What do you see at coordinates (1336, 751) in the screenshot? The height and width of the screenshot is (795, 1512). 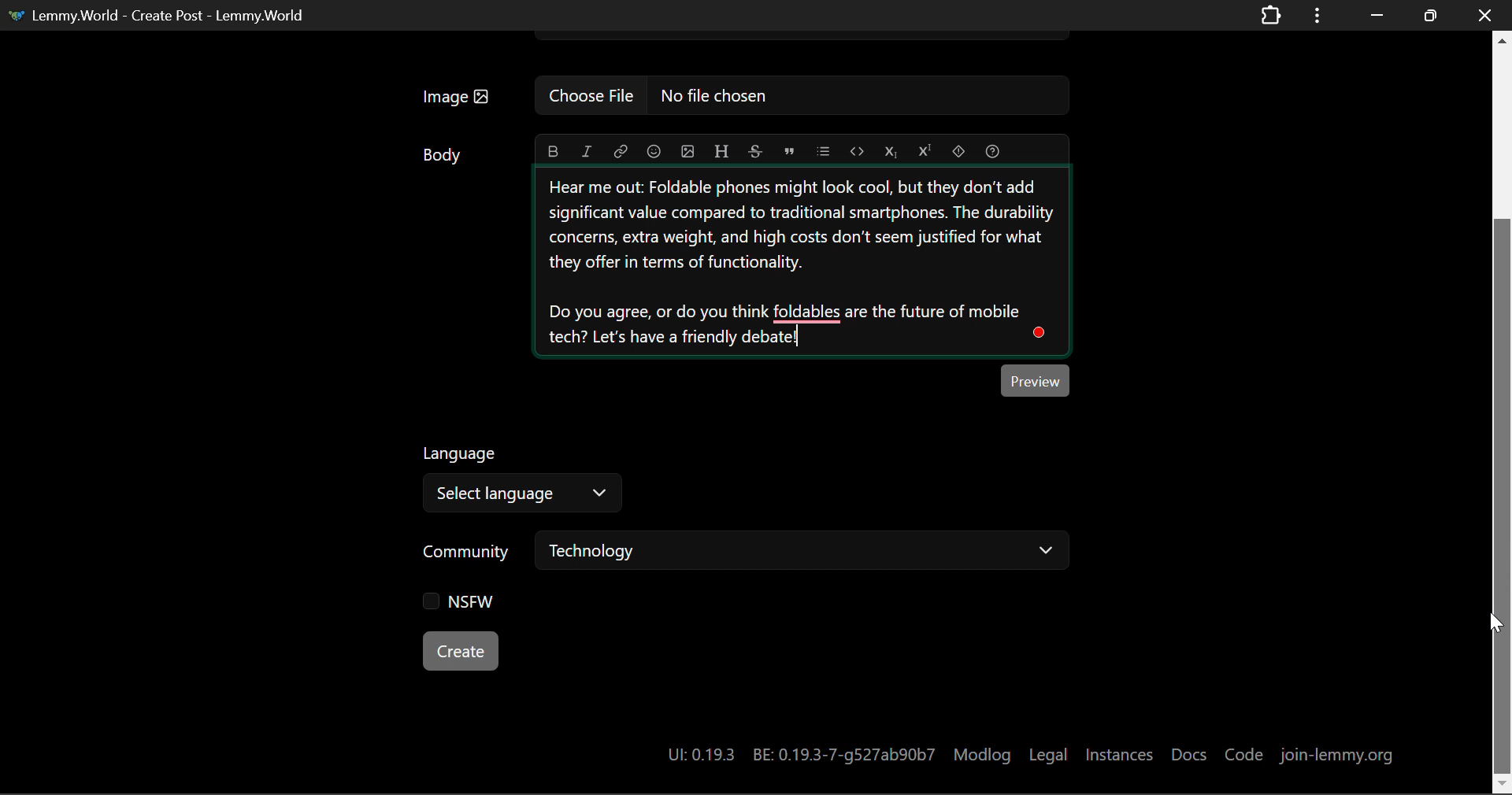 I see `join-lemmy.org` at bounding box center [1336, 751].